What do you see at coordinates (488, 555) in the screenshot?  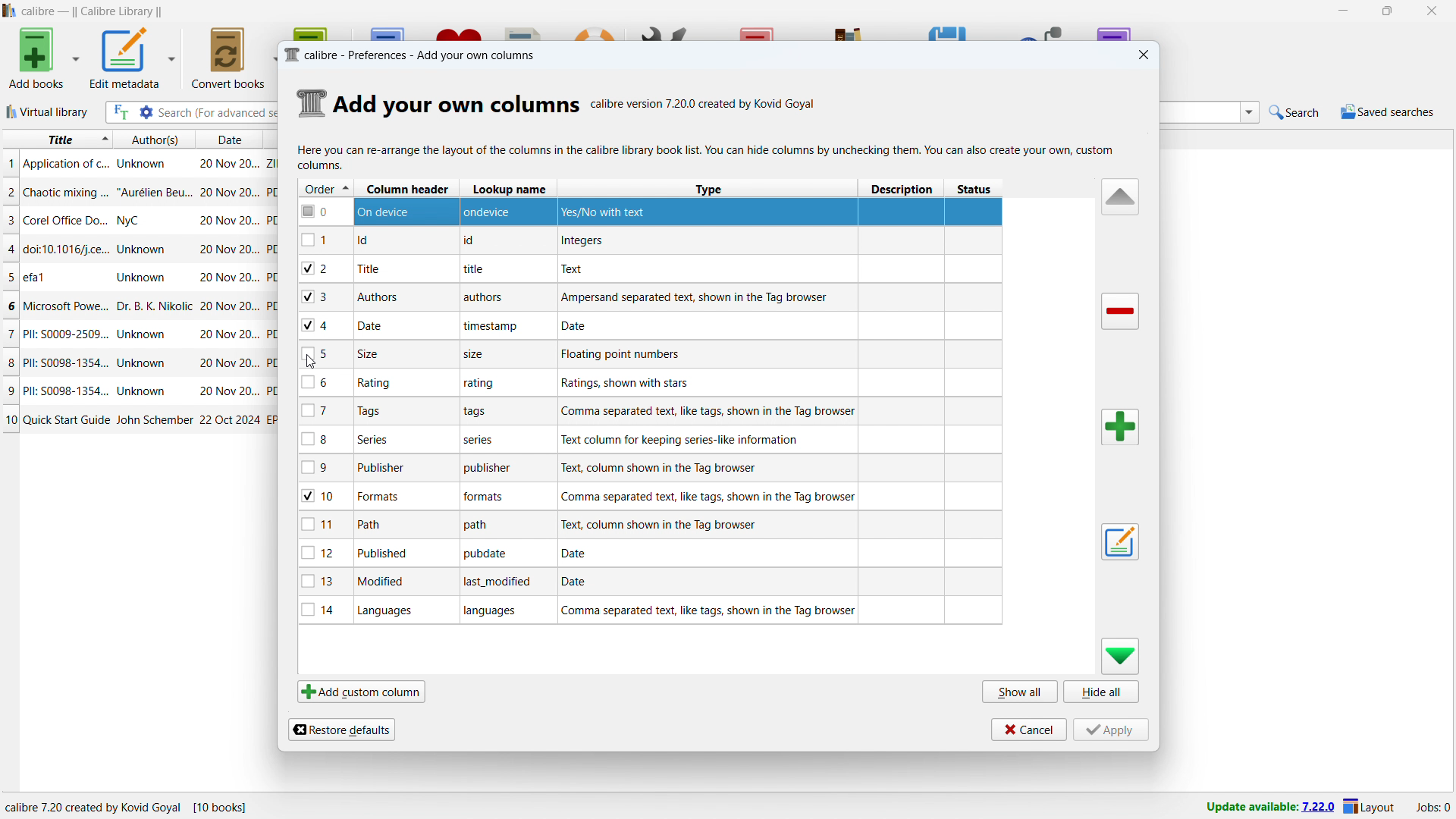 I see `pubdate` at bounding box center [488, 555].